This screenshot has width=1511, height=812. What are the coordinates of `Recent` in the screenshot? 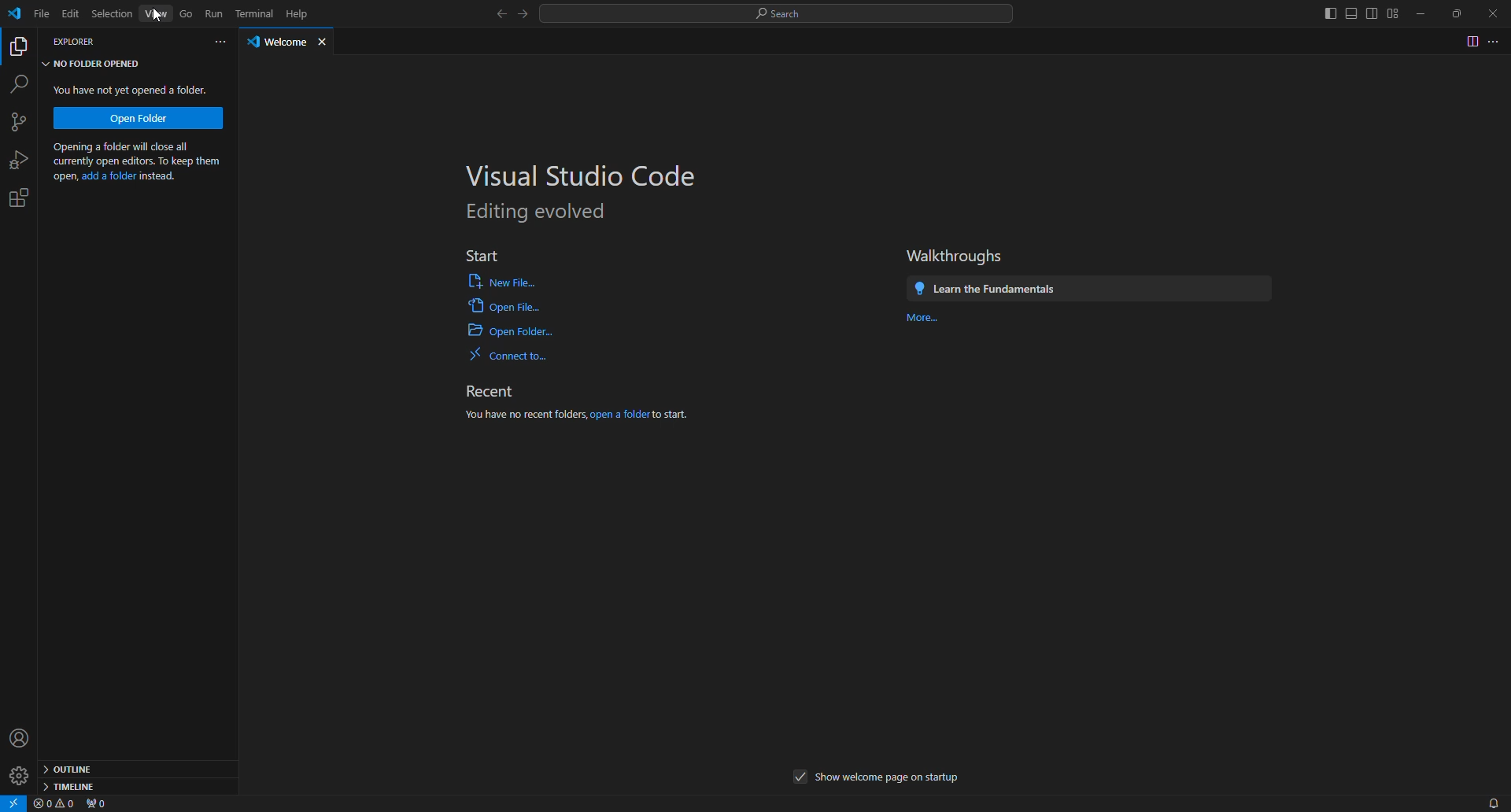 It's located at (499, 389).